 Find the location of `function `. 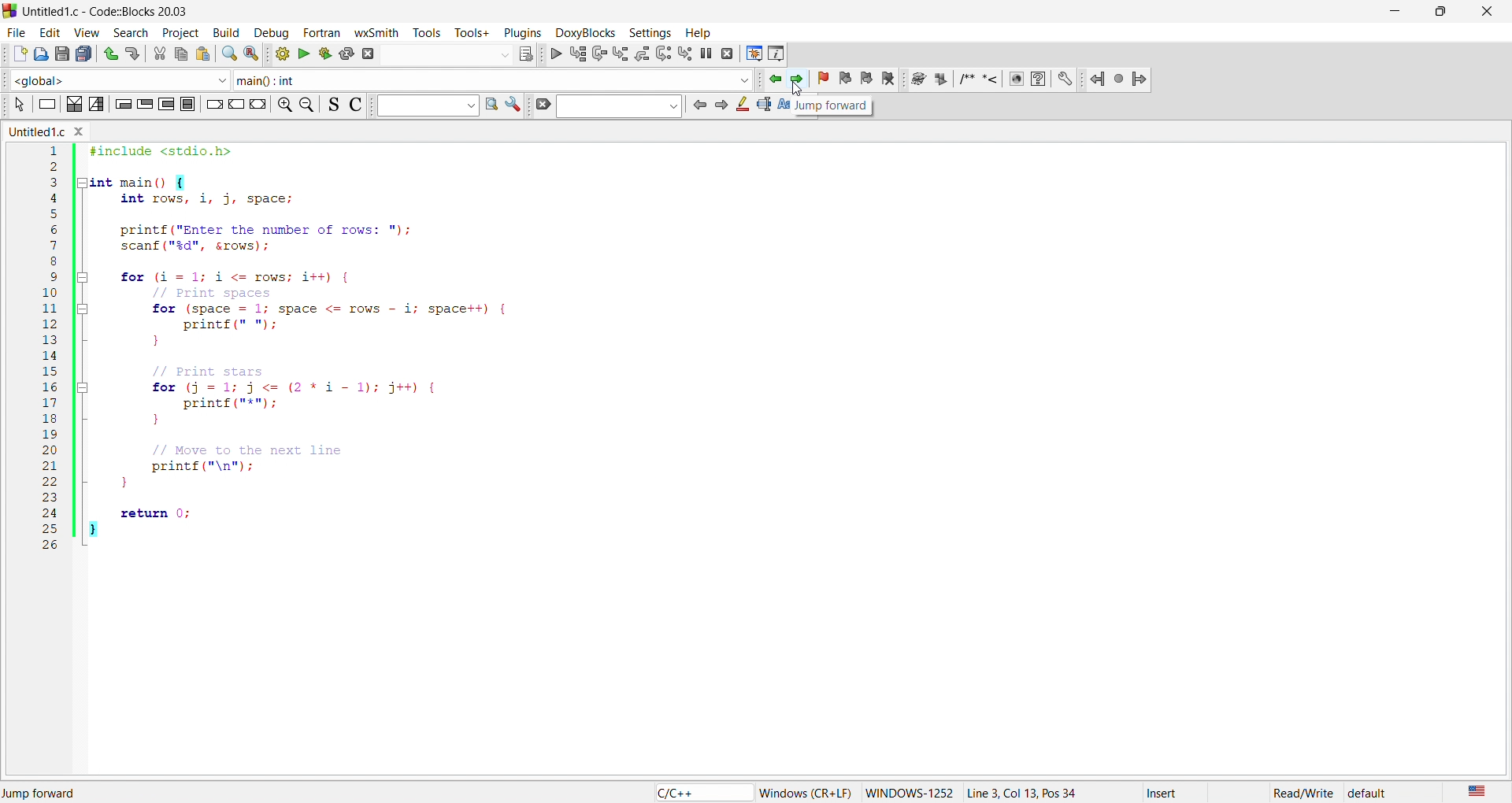

function  is located at coordinates (493, 80).